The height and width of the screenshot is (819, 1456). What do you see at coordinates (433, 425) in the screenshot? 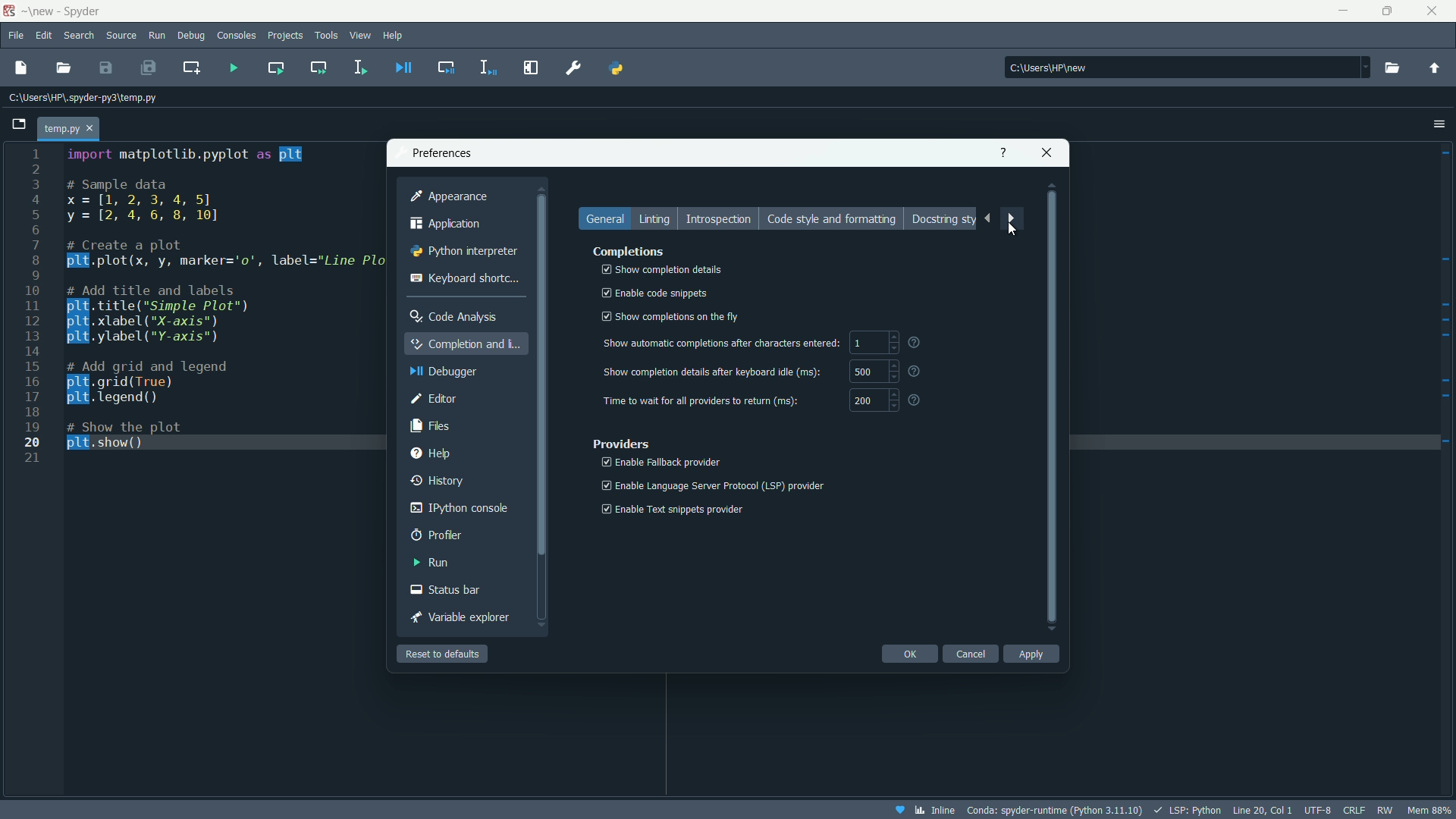
I see `files` at bounding box center [433, 425].